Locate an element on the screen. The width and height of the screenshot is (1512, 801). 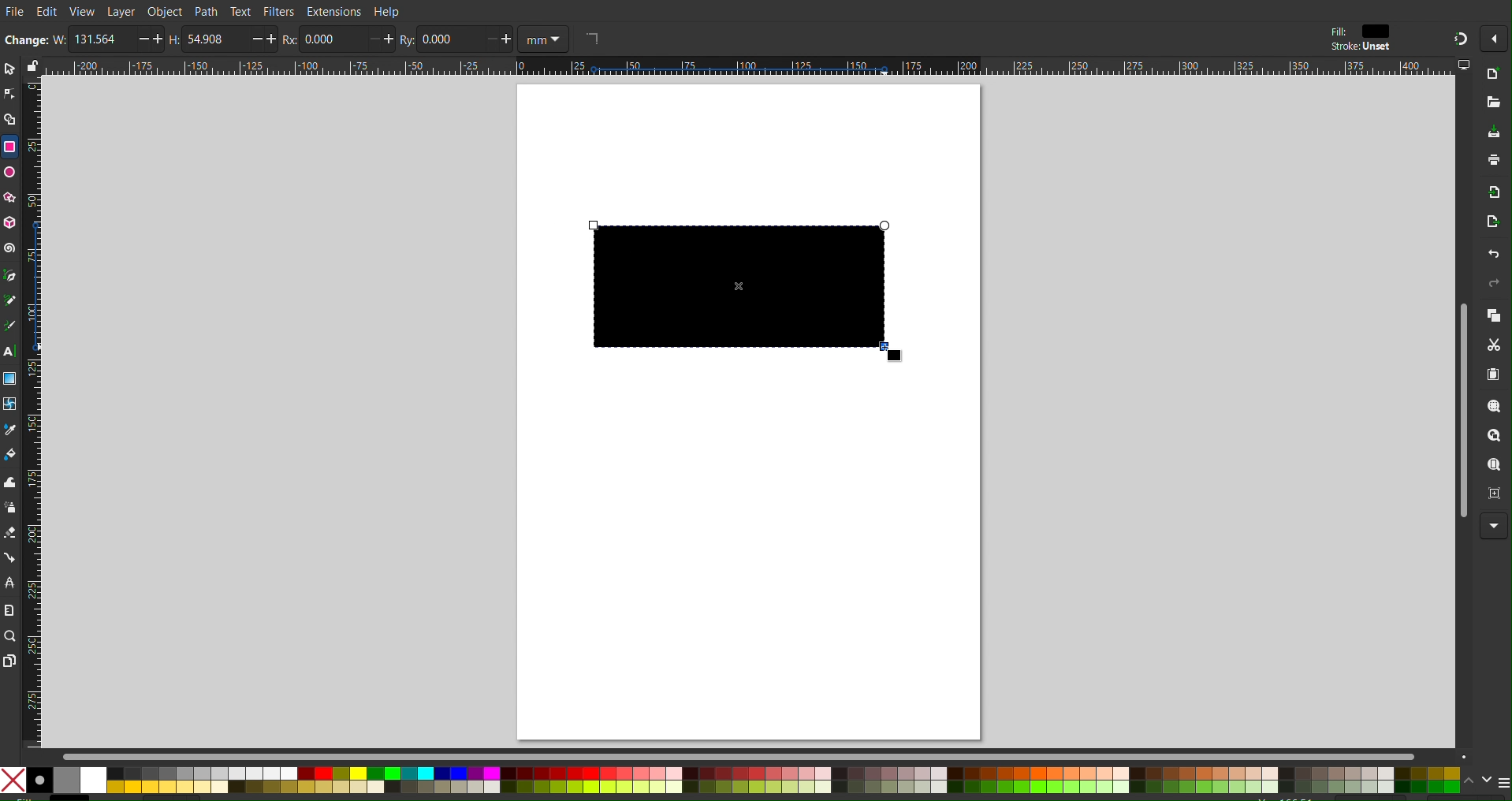
Rectangle is located at coordinates (9, 147).